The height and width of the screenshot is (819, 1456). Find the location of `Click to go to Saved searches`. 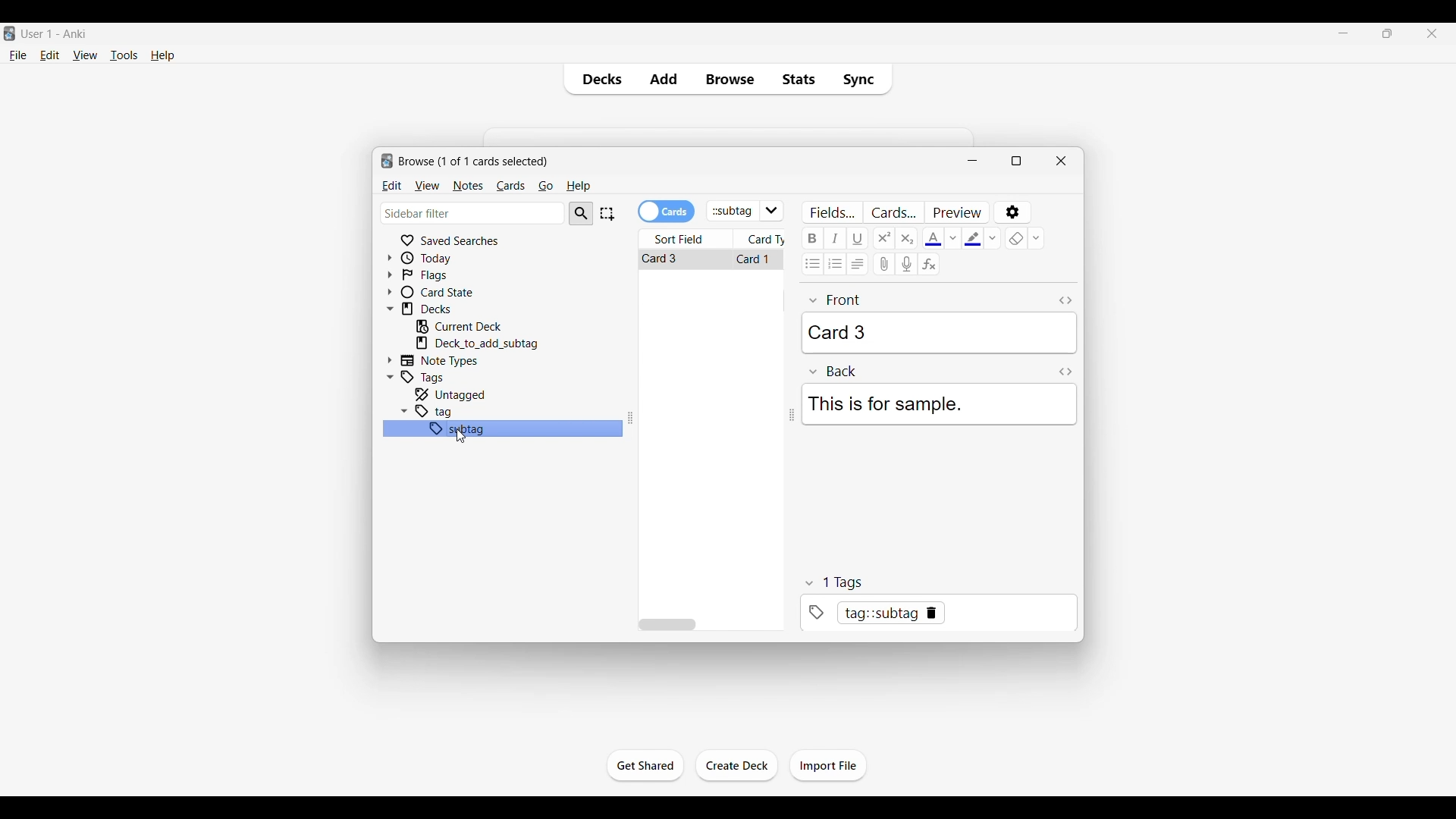

Click to go to Saved searches is located at coordinates (448, 240).